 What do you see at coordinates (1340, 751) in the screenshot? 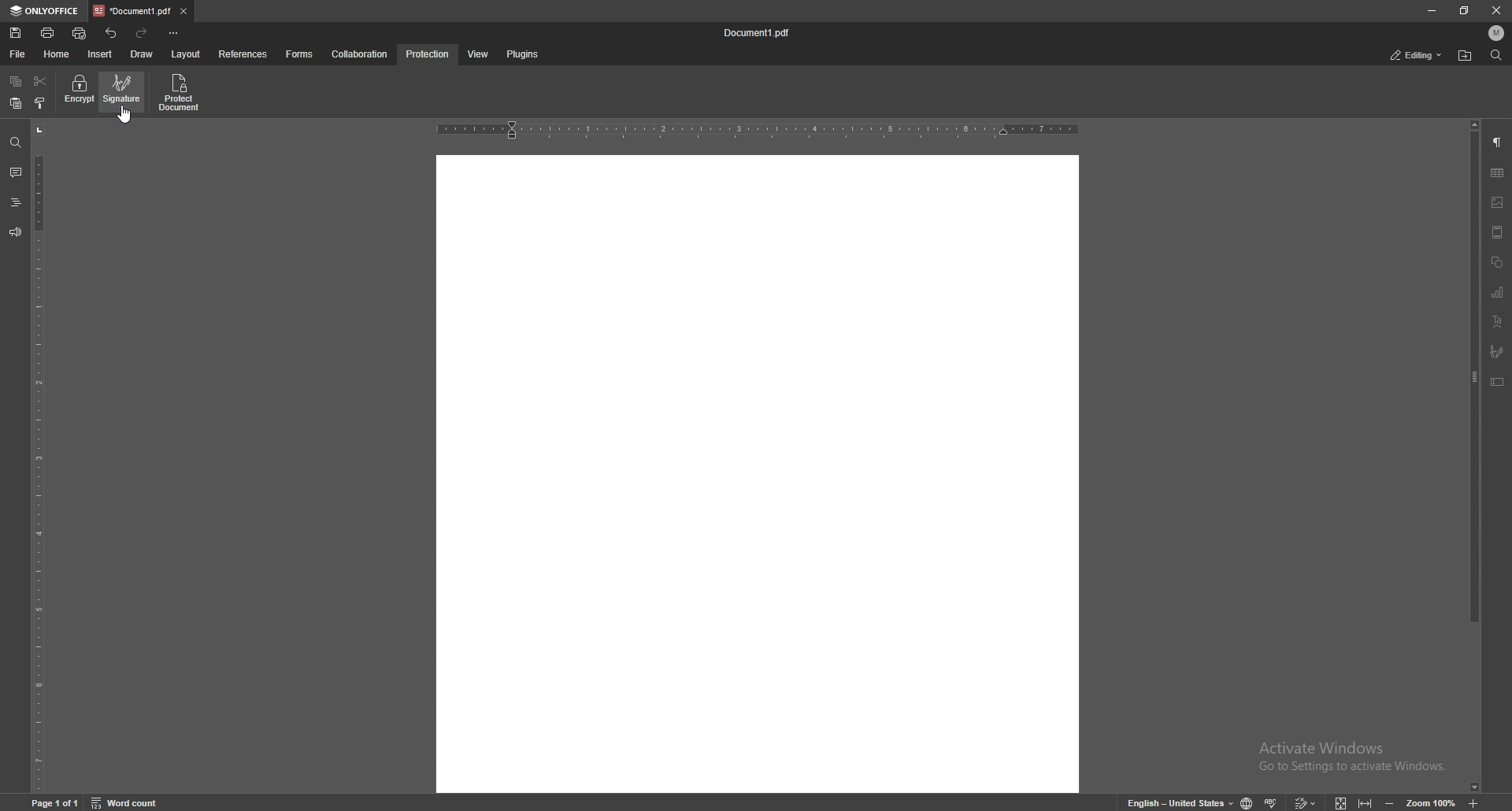
I see `Activate windows` at bounding box center [1340, 751].